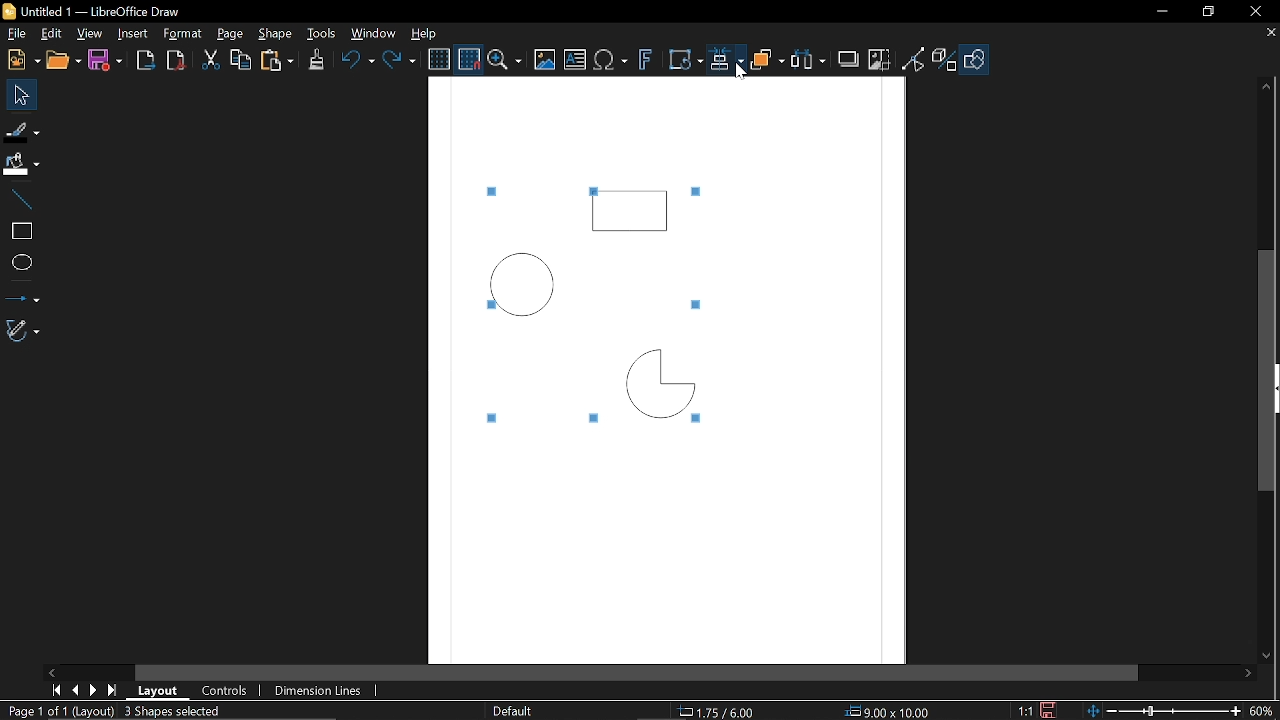 Image resolution: width=1280 pixels, height=720 pixels. Describe the element at coordinates (468, 57) in the screenshot. I see `Snap to grid` at that location.